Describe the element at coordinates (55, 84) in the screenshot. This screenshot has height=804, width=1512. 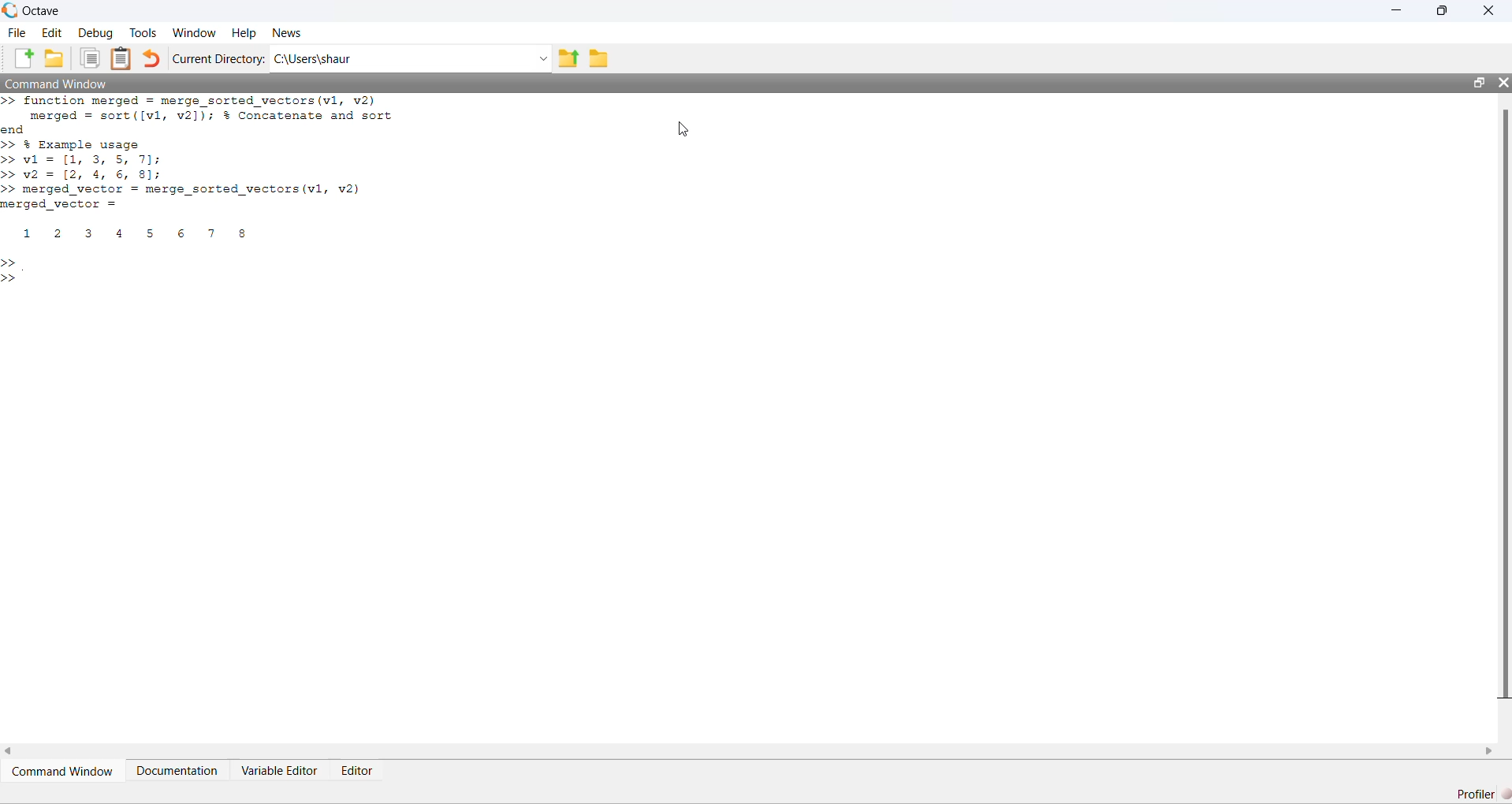
I see `‘Command Window` at that location.